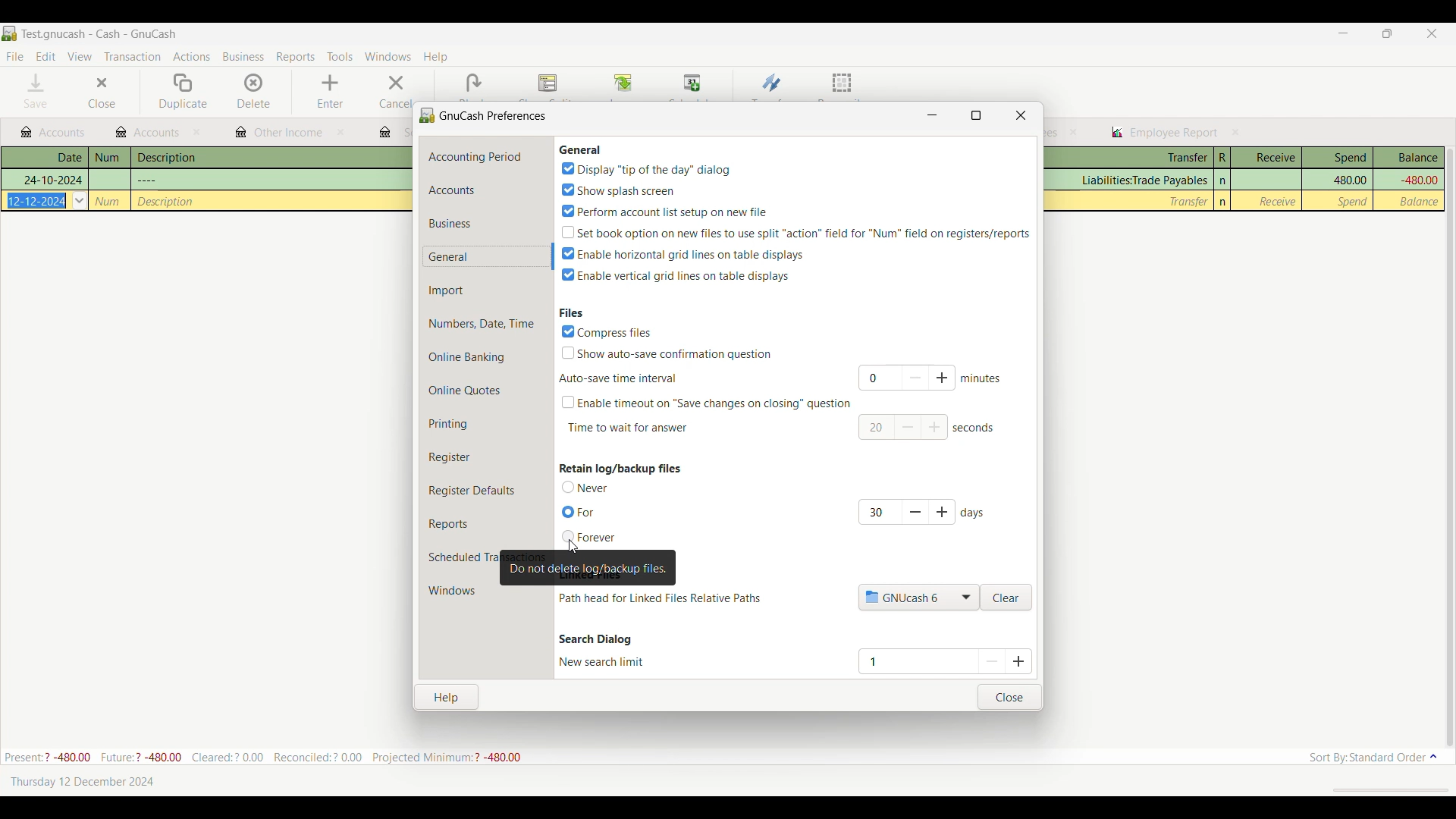 This screenshot has width=1456, height=819. What do you see at coordinates (877, 379) in the screenshot?
I see `value` at bounding box center [877, 379].